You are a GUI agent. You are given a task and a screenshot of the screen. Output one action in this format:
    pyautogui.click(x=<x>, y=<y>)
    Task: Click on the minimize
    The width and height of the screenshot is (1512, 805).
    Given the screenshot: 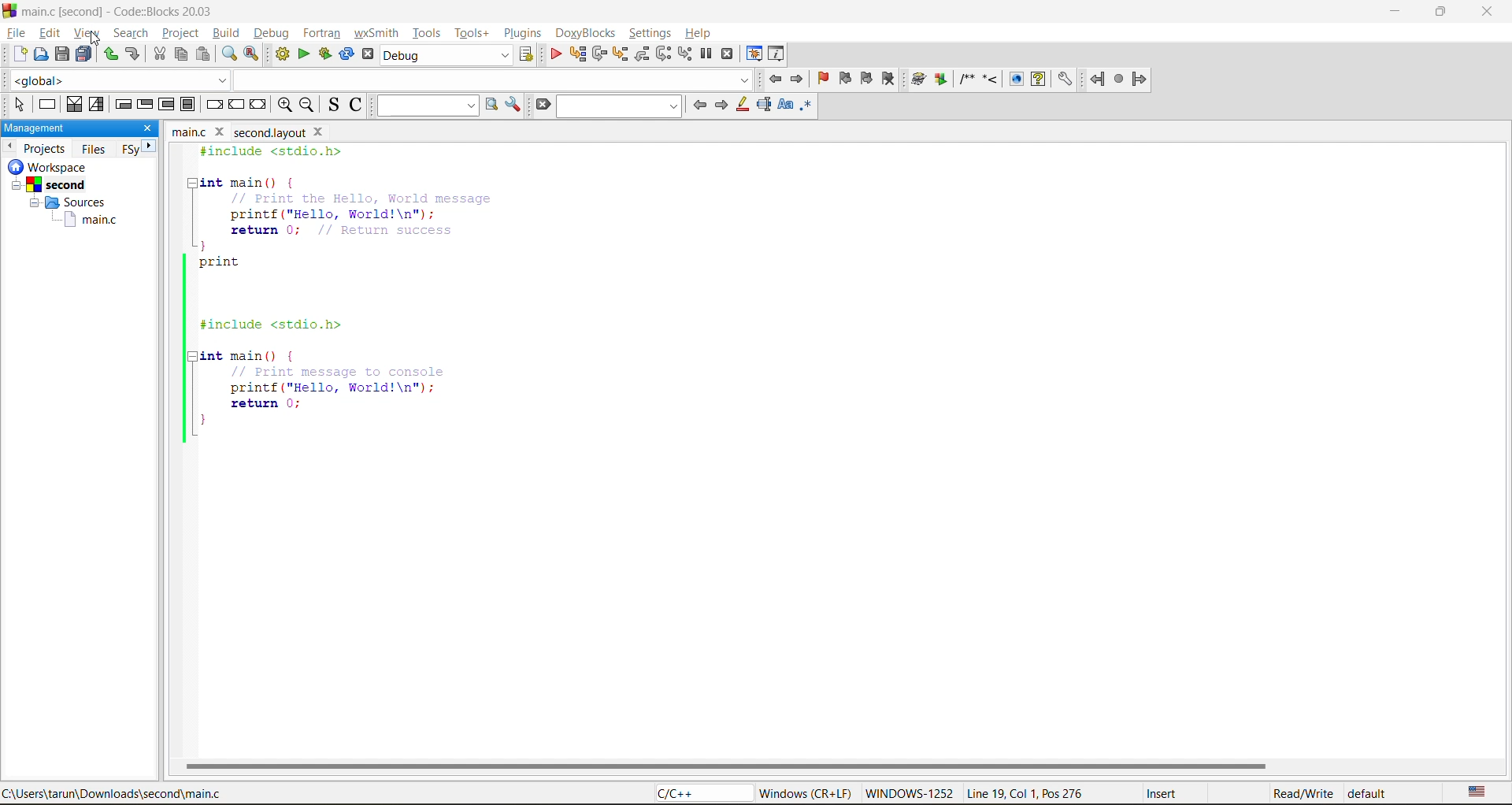 What is the action you would take?
    pyautogui.click(x=1395, y=11)
    